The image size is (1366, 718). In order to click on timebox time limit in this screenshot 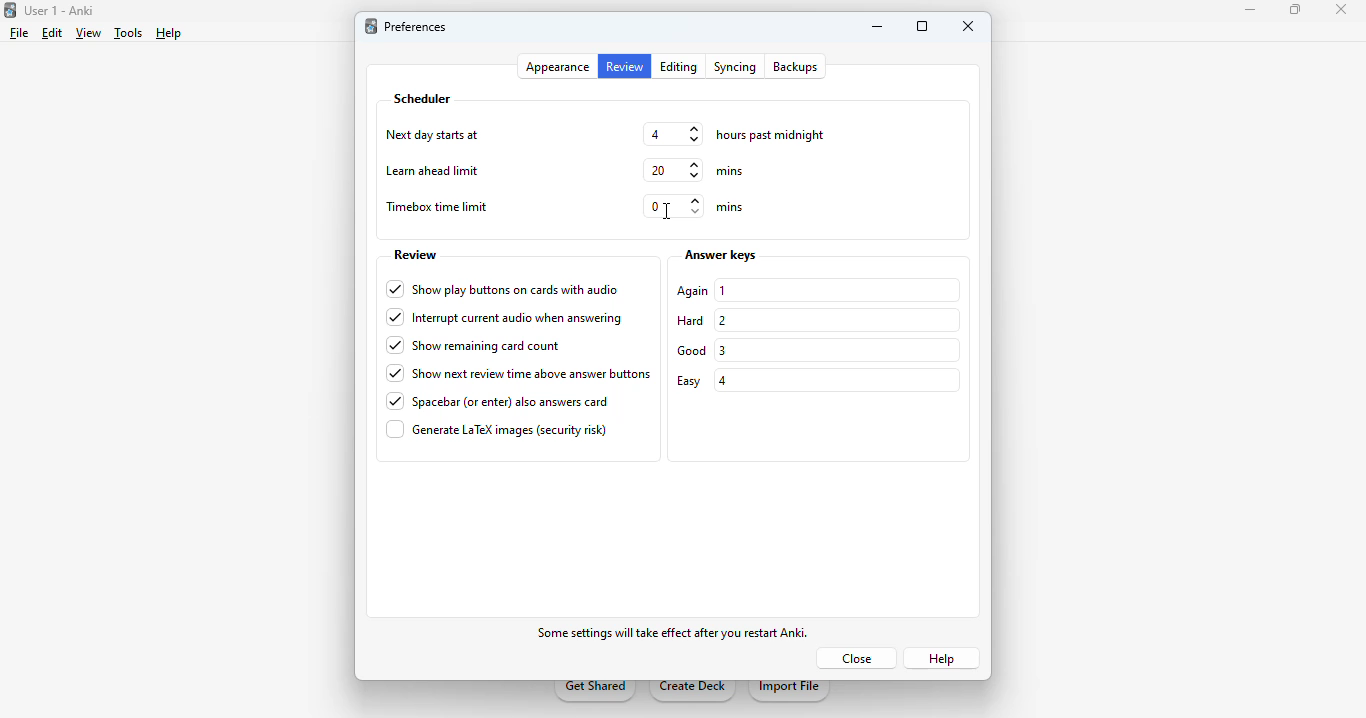, I will do `click(440, 208)`.